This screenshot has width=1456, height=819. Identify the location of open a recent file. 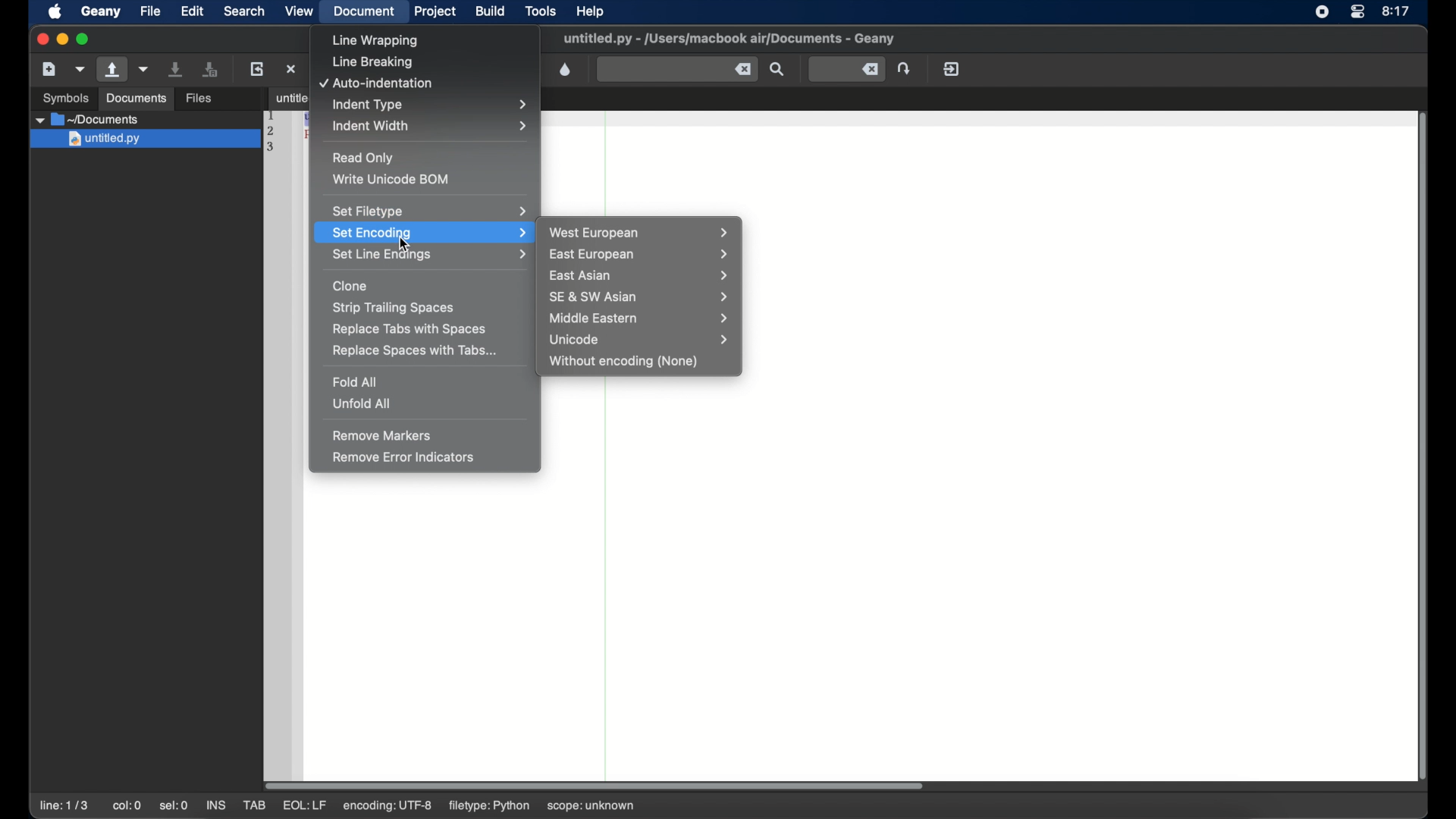
(144, 69).